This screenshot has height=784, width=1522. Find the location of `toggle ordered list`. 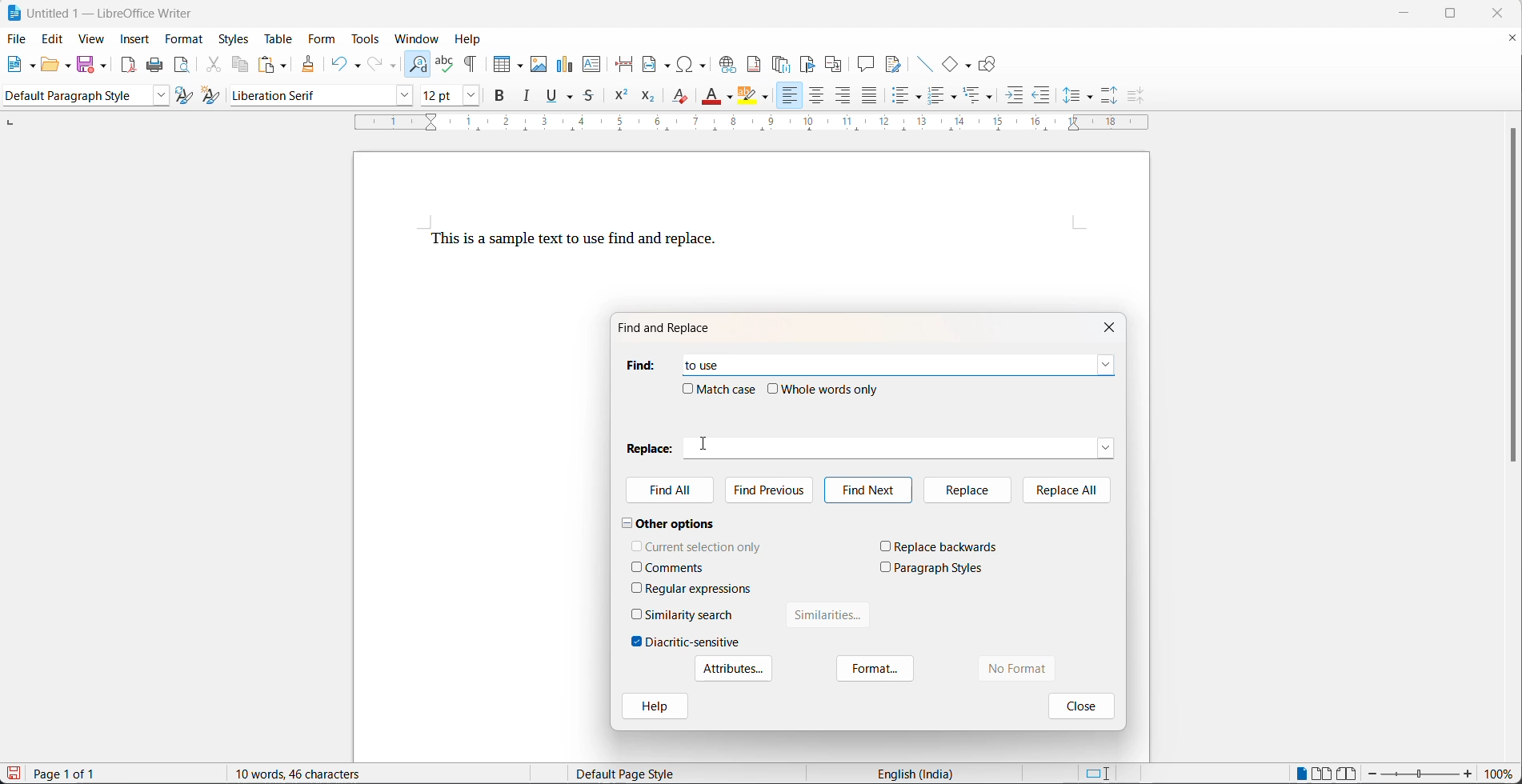

toggle ordered list is located at coordinates (938, 97).